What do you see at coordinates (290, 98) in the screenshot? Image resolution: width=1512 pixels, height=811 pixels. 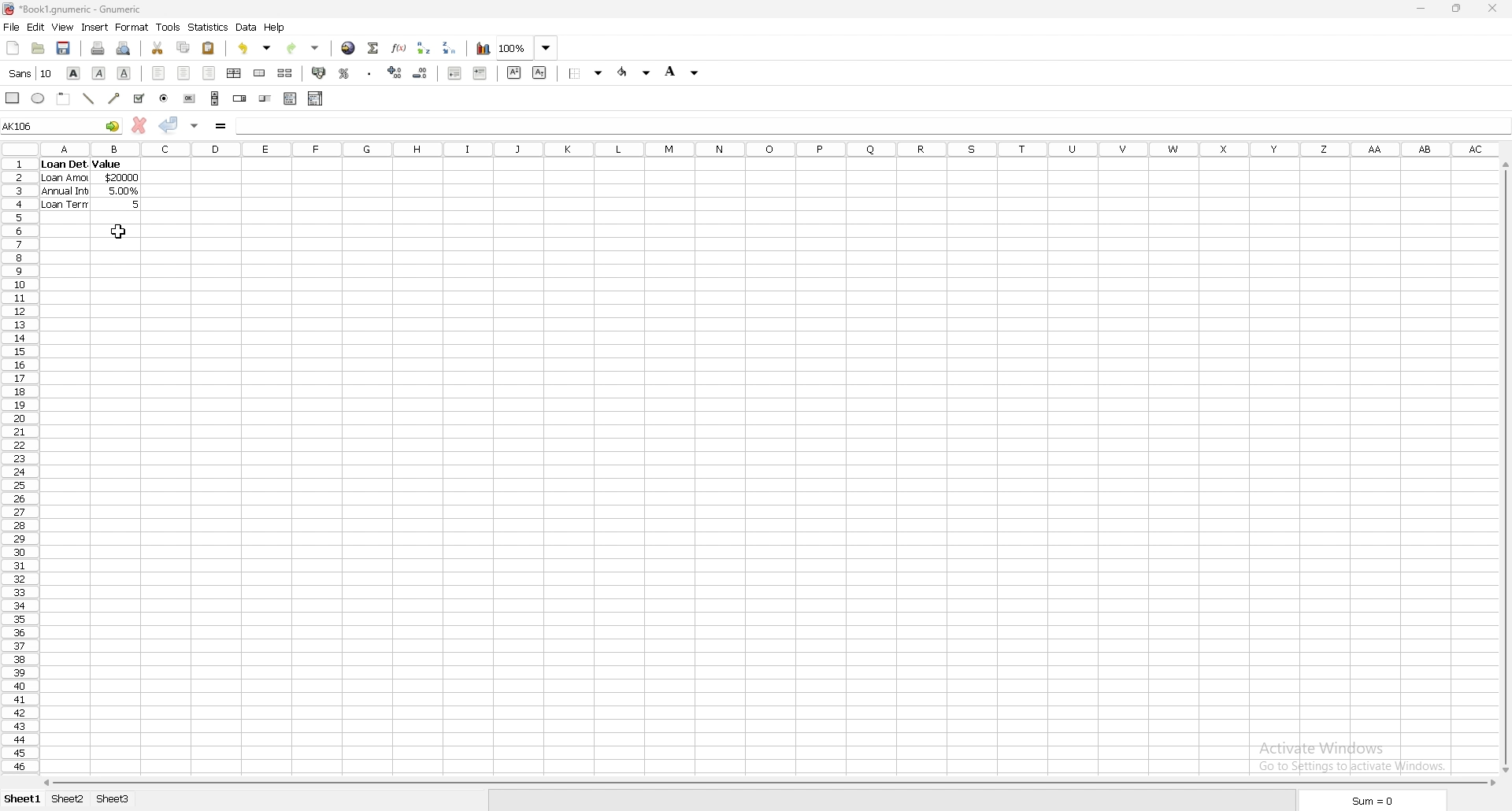 I see `list` at bounding box center [290, 98].